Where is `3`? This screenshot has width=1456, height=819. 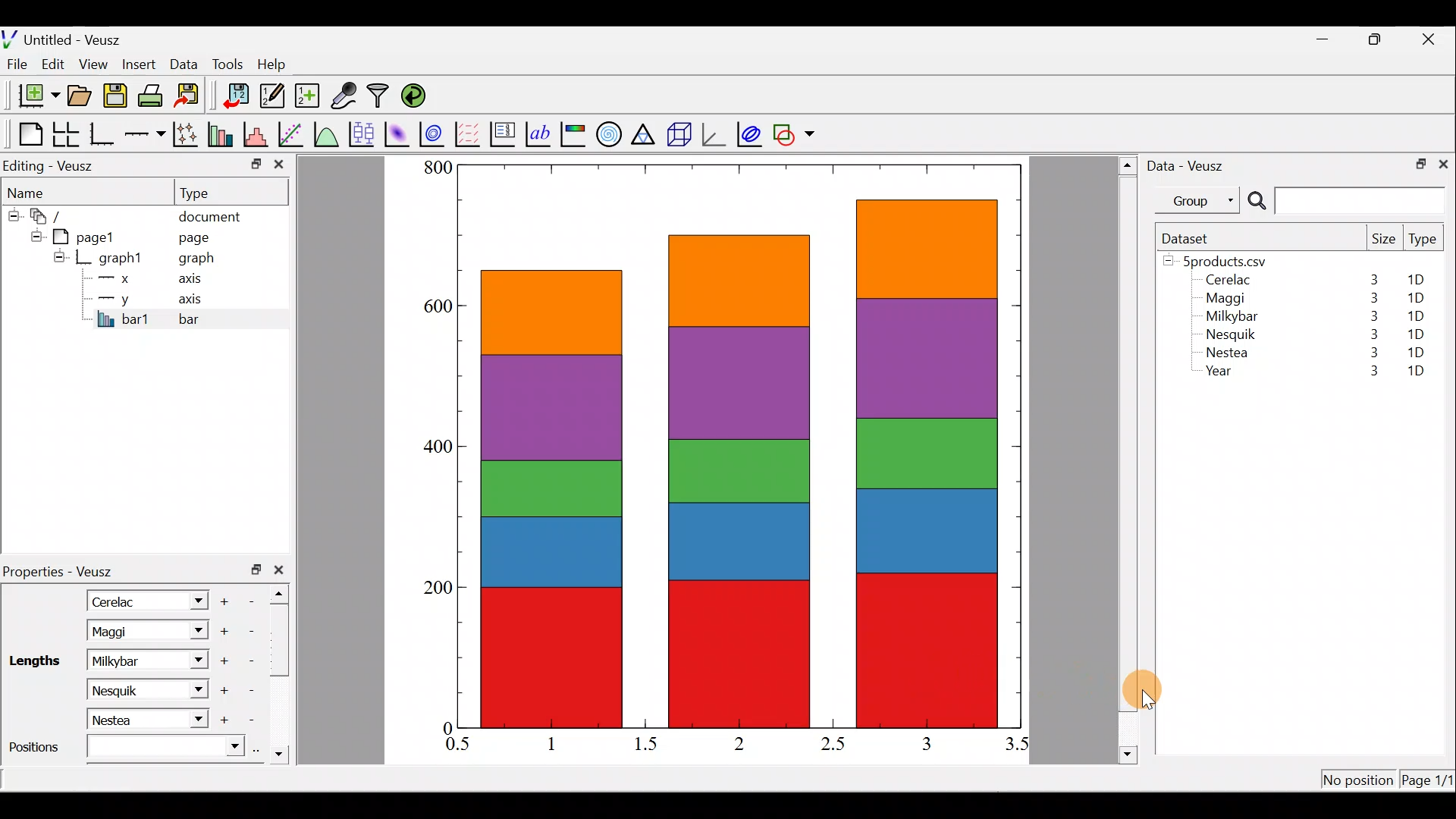 3 is located at coordinates (1370, 298).